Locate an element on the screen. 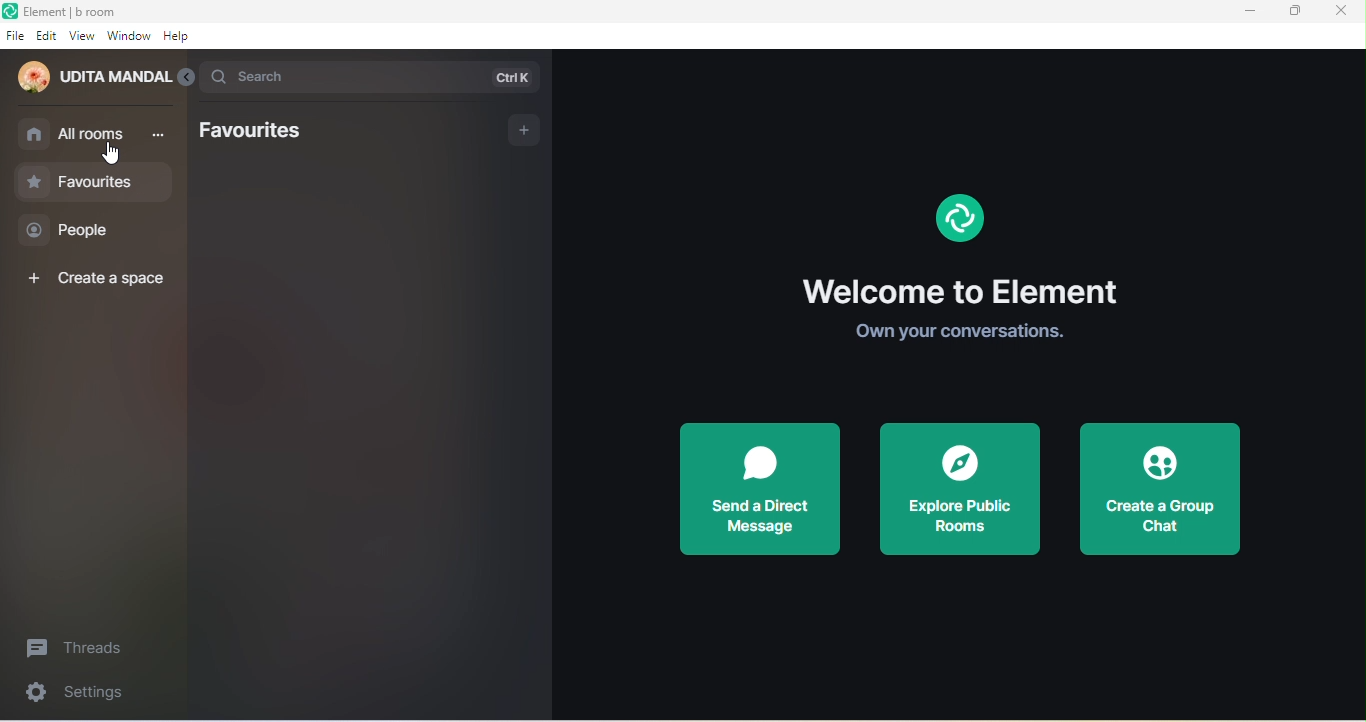 Image resolution: width=1366 pixels, height=722 pixels. search is located at coordinates (369, 77).